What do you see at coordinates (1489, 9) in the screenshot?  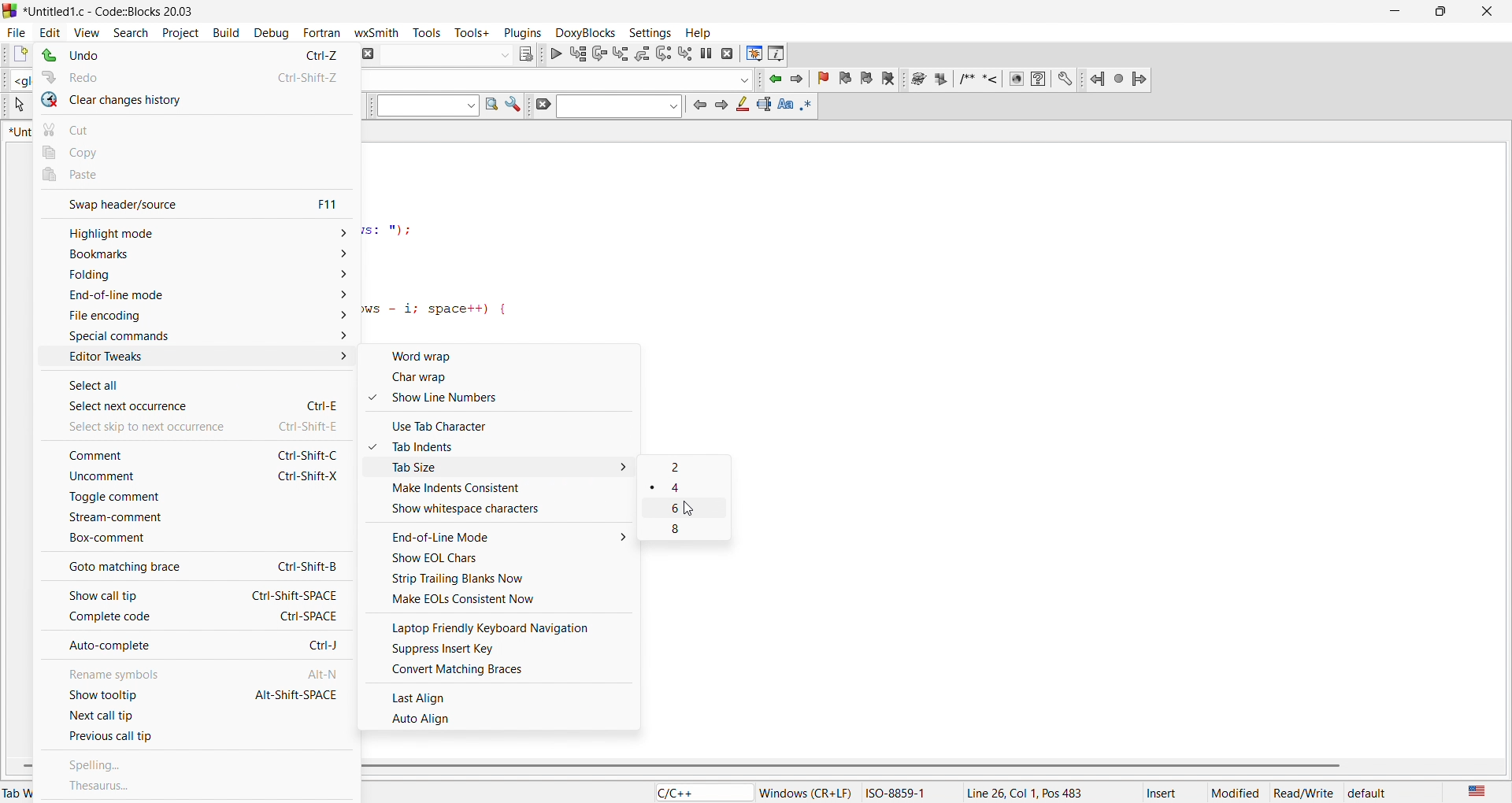 I see `close` at bounding box center [1489, 9].